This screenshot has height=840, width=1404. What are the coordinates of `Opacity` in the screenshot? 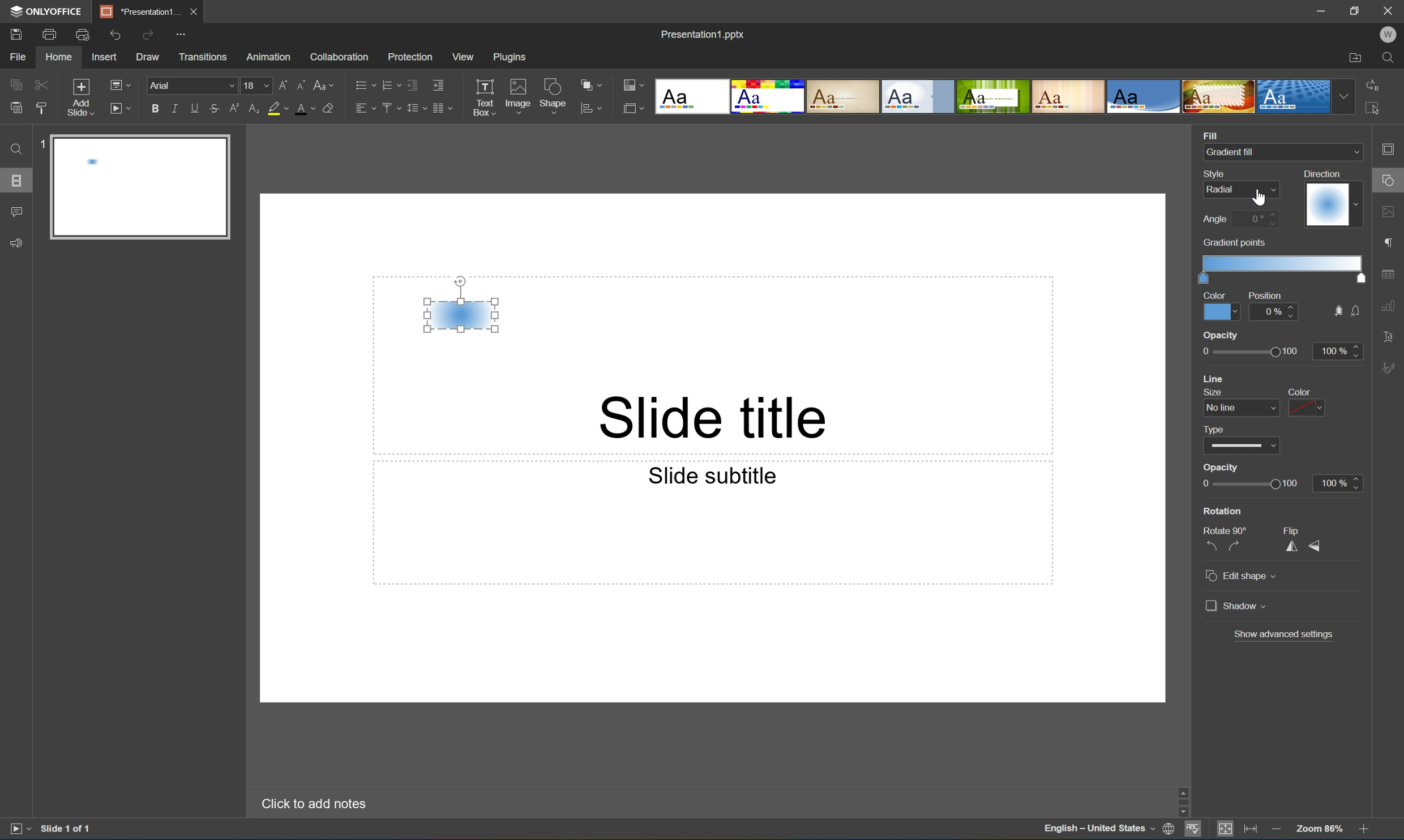 It's located at (1222, 468).